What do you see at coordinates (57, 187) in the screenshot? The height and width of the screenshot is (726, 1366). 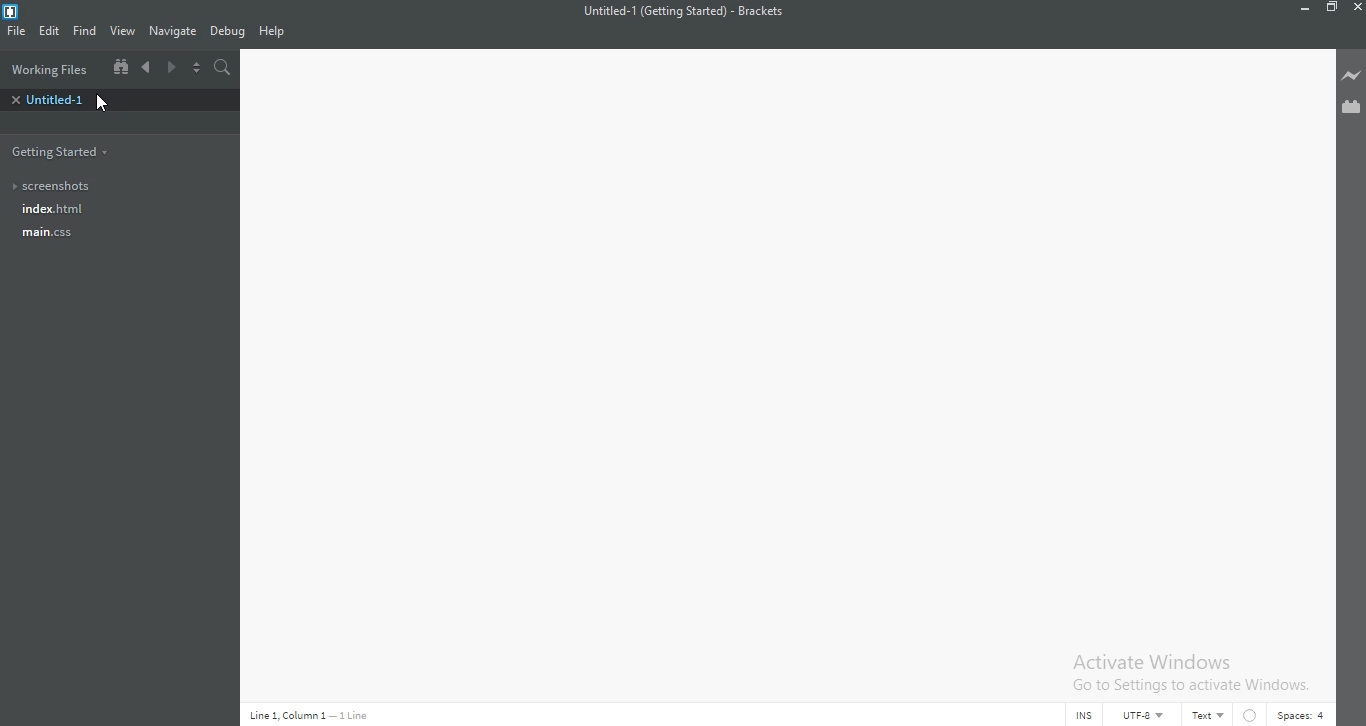 I see `Screenshots` at bounding box center [57, 187].